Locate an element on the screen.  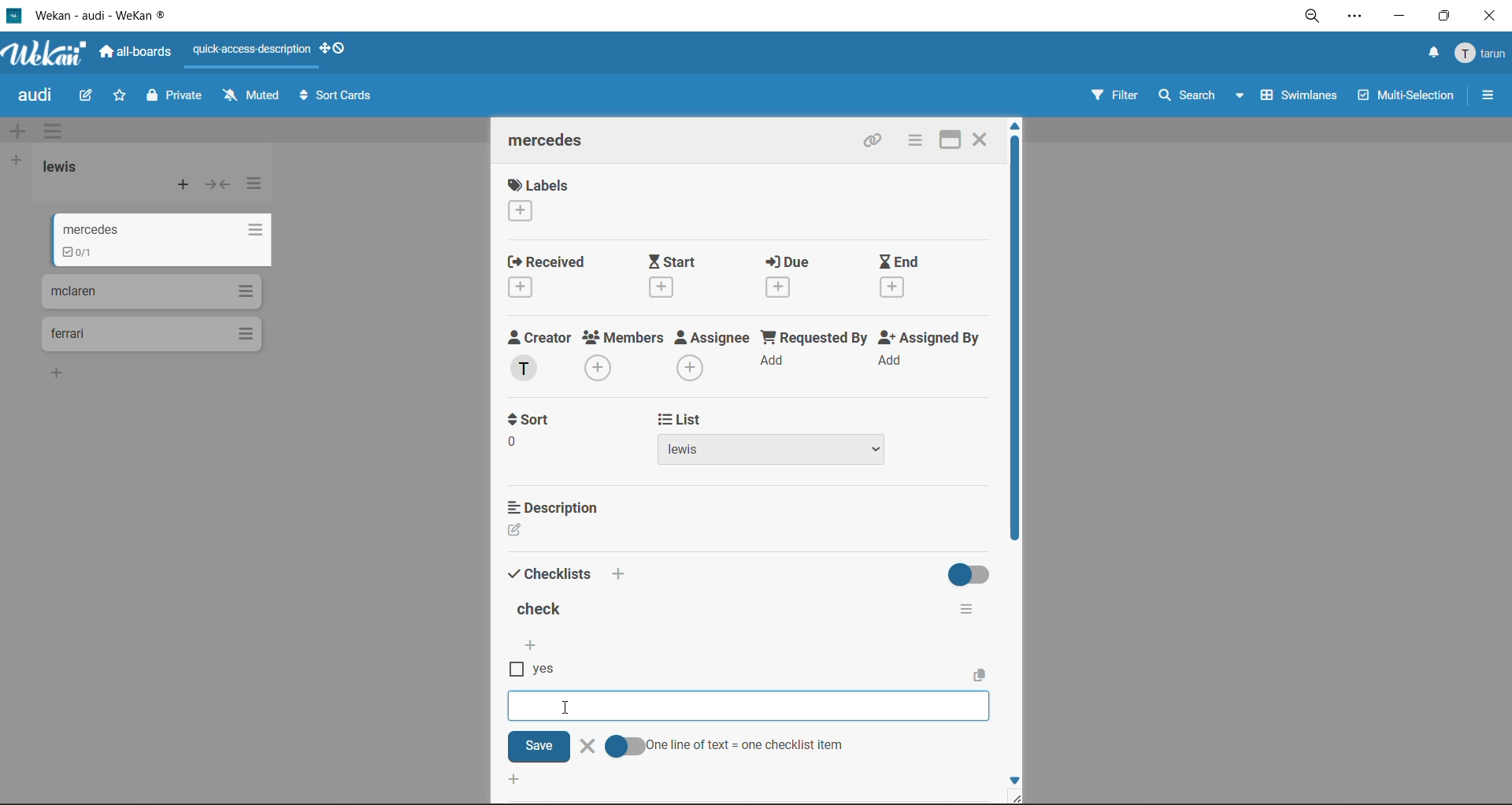
settings is located at coordinates (1358, 19).